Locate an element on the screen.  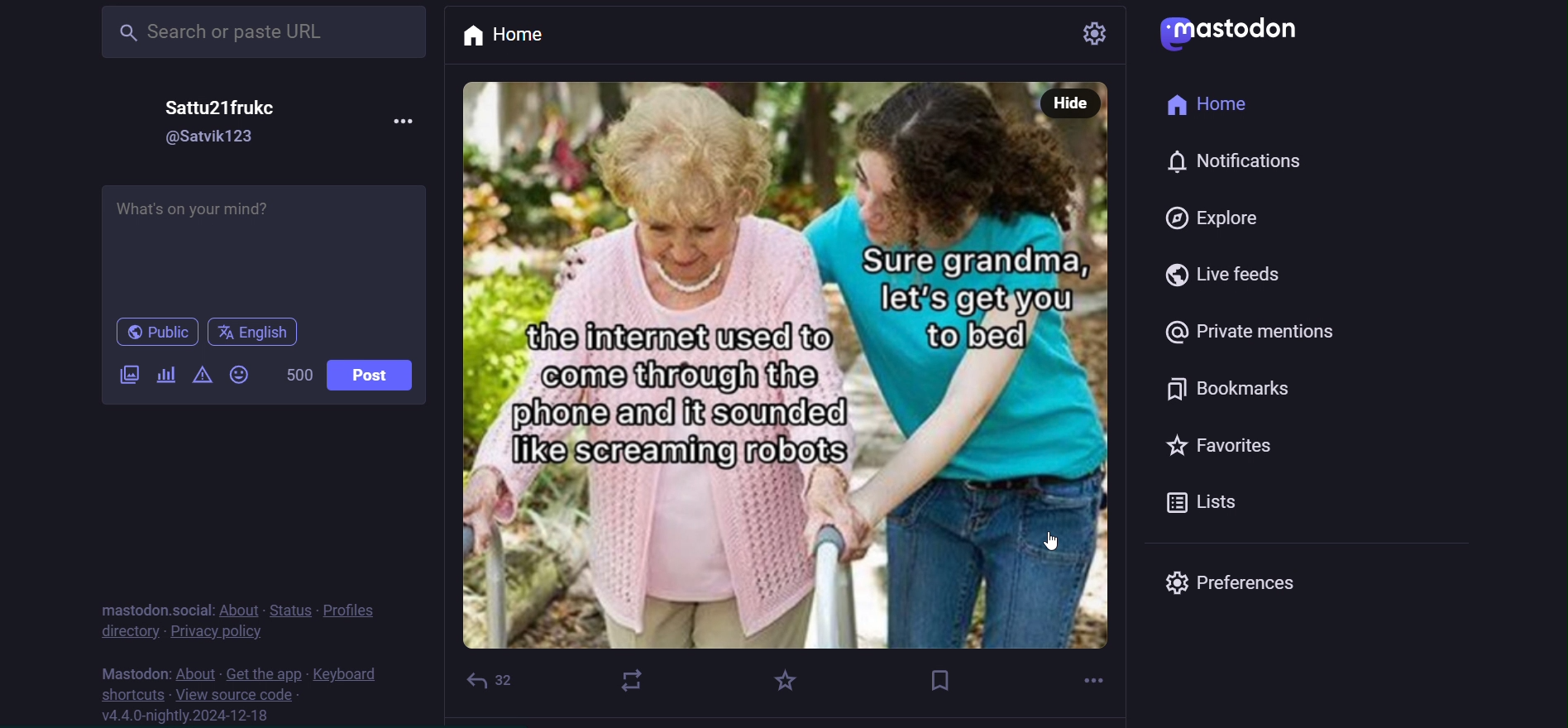
privacy policy is located at coordinates (214, 630).